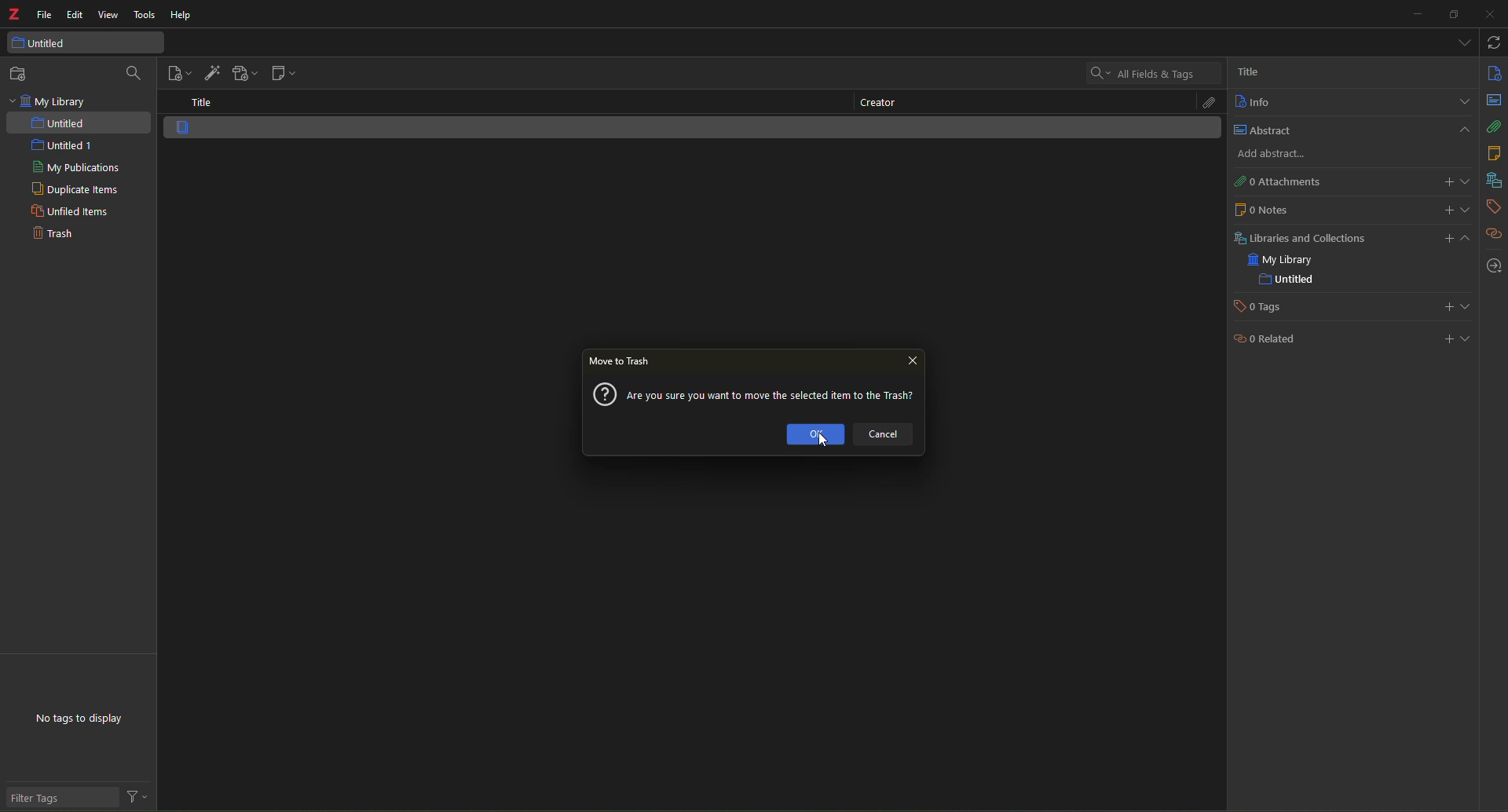  Describe the element at coordinates (77, 168) in the screenshot. I see `my publications` at that location.